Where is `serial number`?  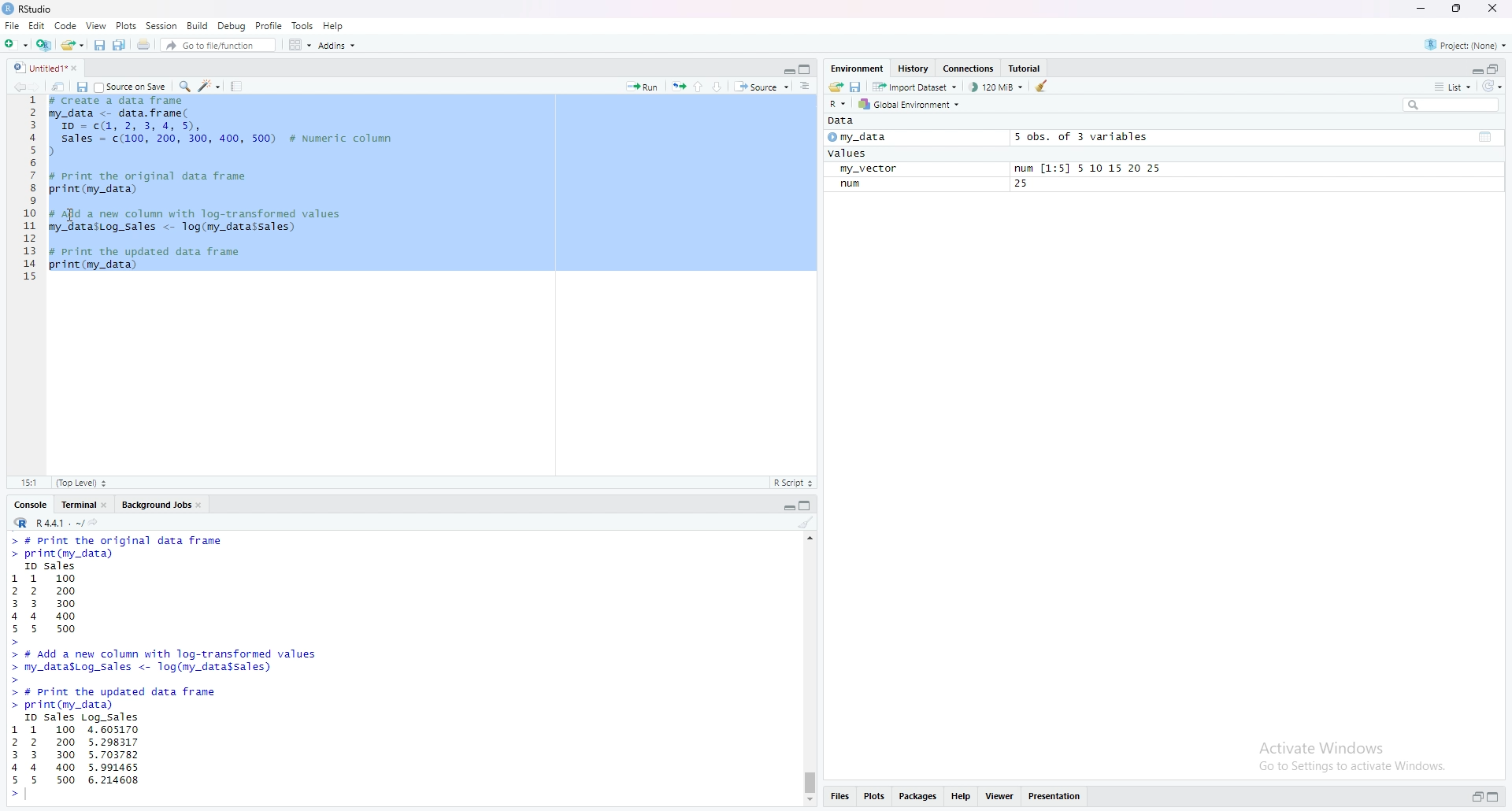
serial number is located at coordinates (26, 194).